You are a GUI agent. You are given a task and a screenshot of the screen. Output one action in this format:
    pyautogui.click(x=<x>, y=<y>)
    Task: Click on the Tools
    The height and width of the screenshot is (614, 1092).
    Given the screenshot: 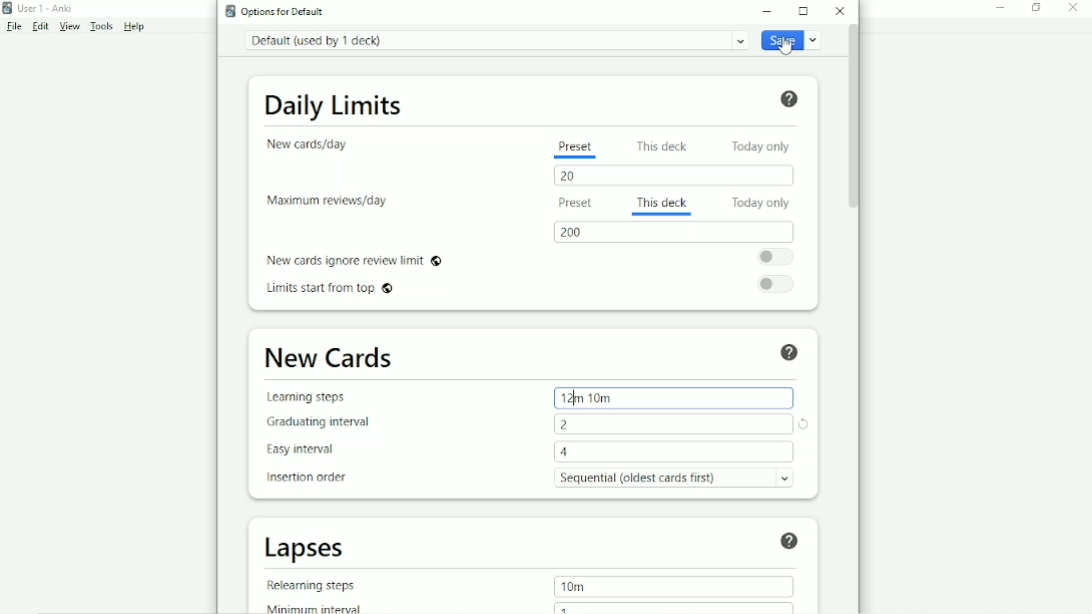 What is the action you would take?
    pyautogui.click(x=102, y=26)
    